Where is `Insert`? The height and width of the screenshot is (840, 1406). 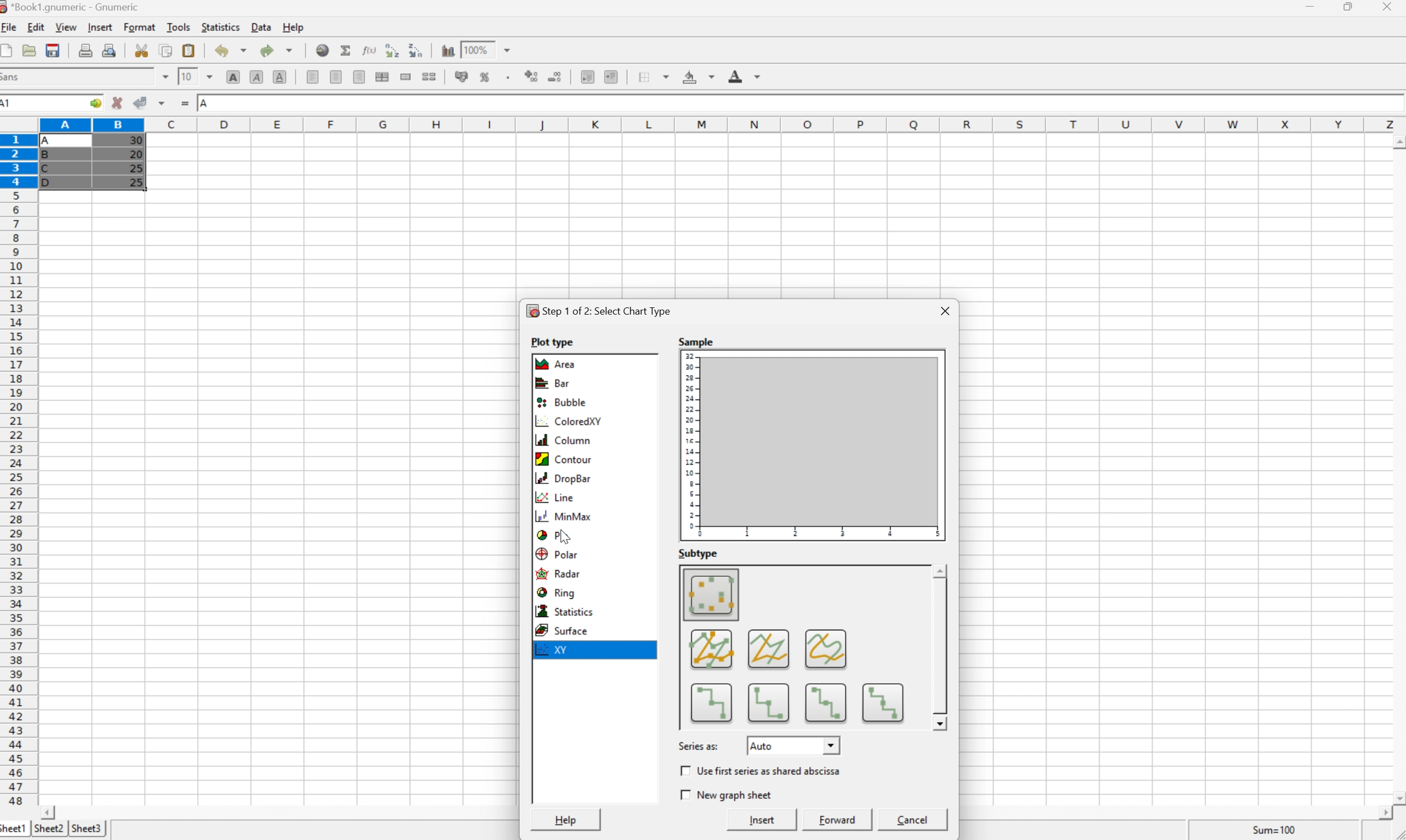 Insert is located at coordinates (102, 28).